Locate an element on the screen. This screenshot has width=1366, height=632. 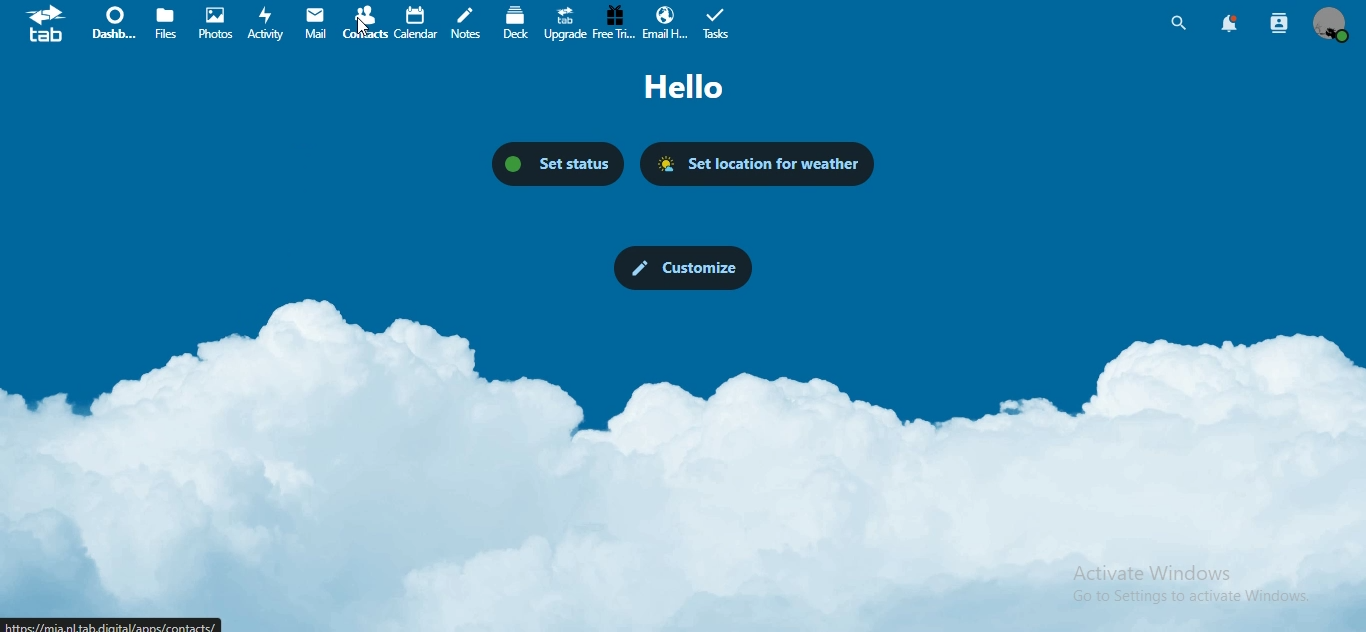
notification is located at coordinates (1231, 24).